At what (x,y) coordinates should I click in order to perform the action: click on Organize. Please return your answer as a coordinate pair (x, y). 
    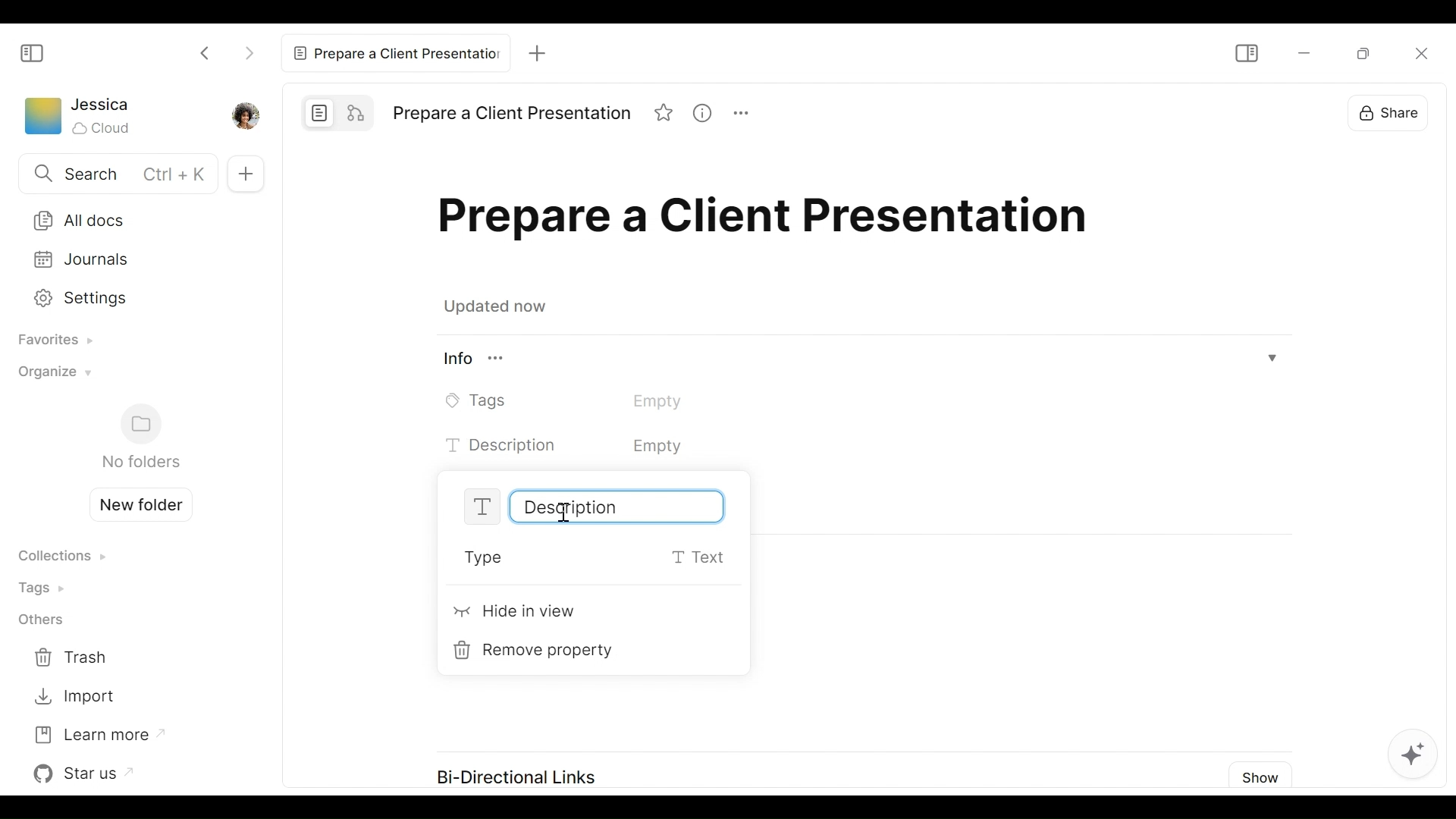
    Looking at the image, I should click on (51, 376).